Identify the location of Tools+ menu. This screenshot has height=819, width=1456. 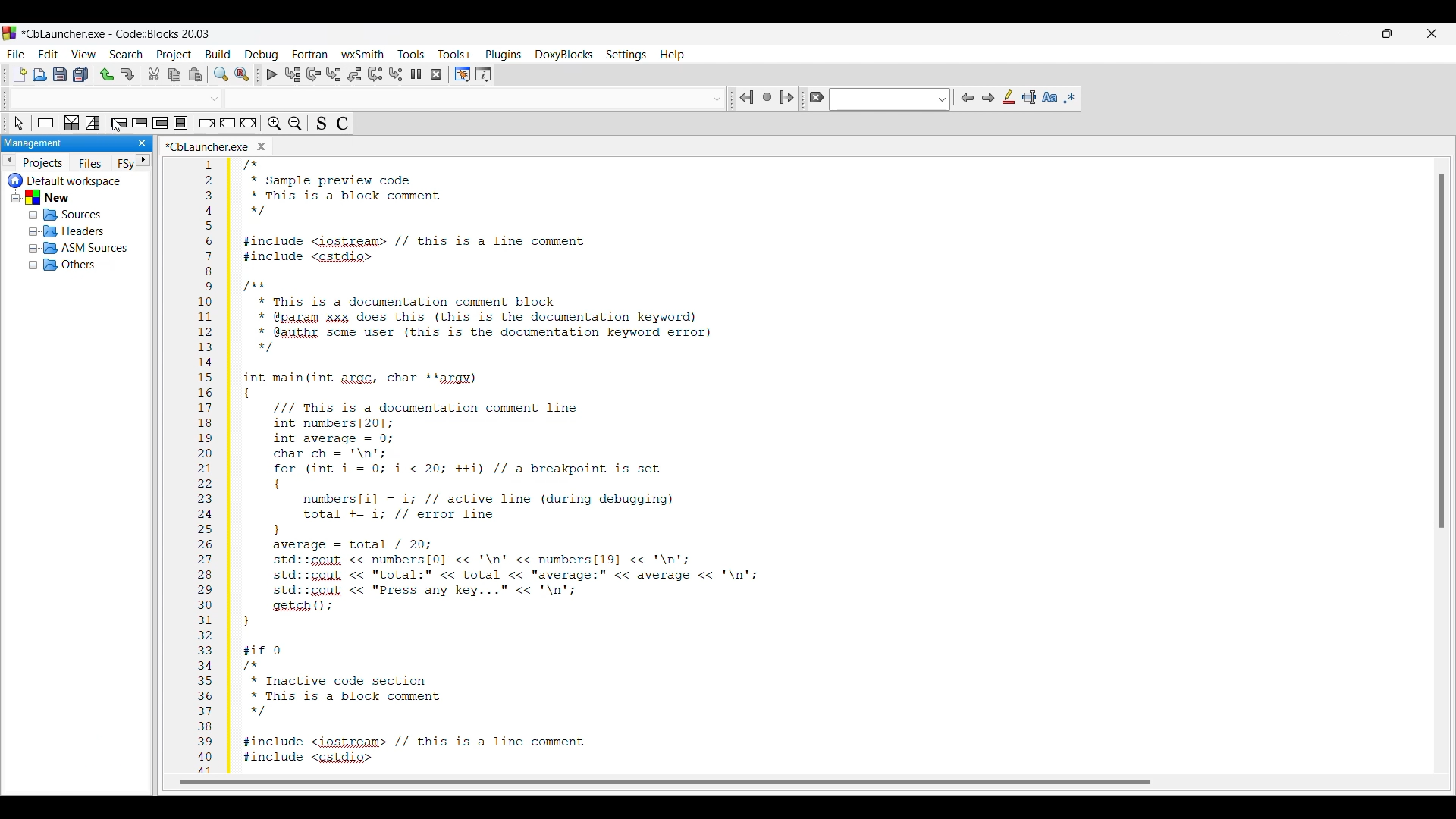
(454, 54).